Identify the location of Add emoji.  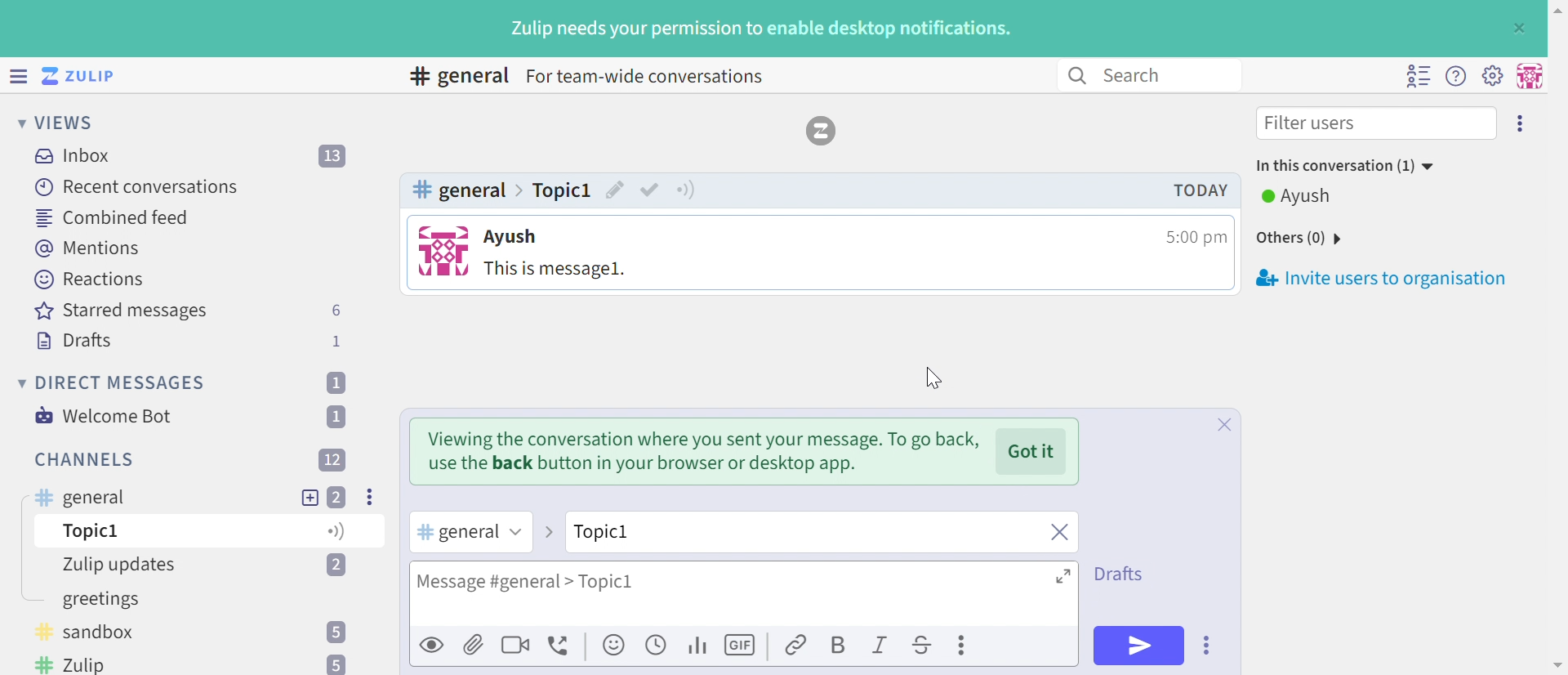
(615, 646).